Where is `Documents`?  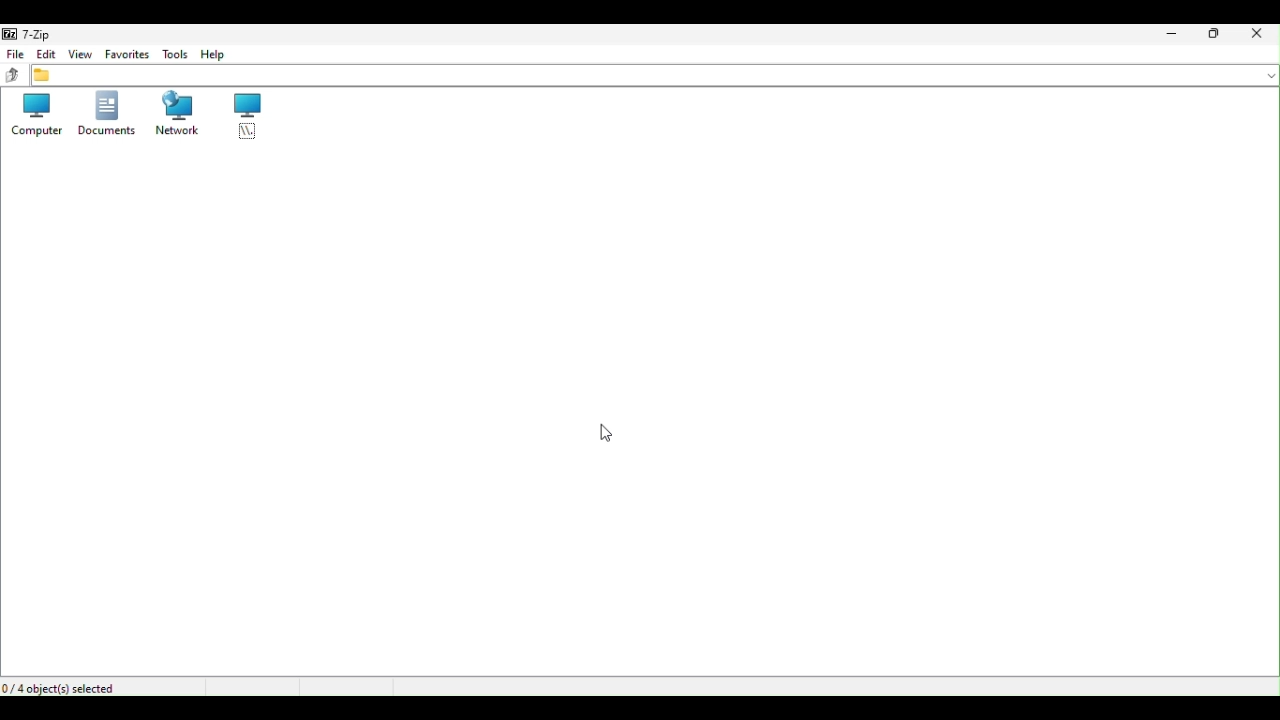
Documents is located at coordinates (107, 117).